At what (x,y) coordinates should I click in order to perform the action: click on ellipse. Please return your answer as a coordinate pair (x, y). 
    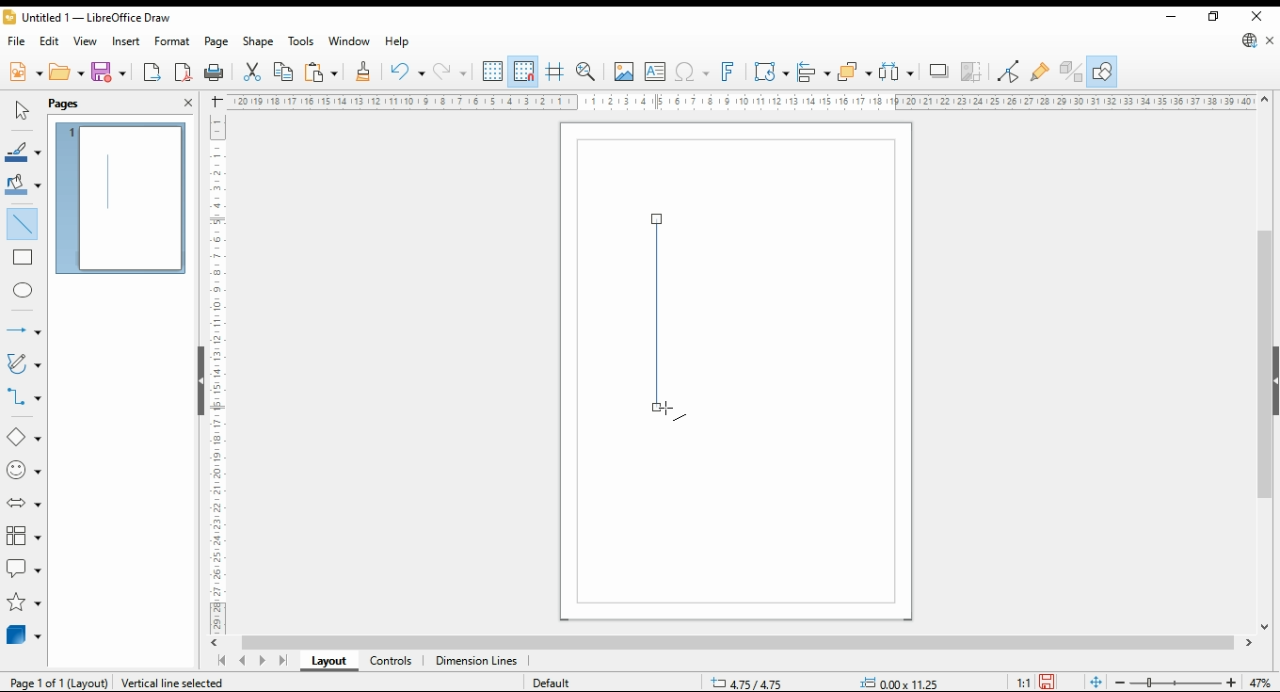
    Looking at the image, I should click on (25, 290).